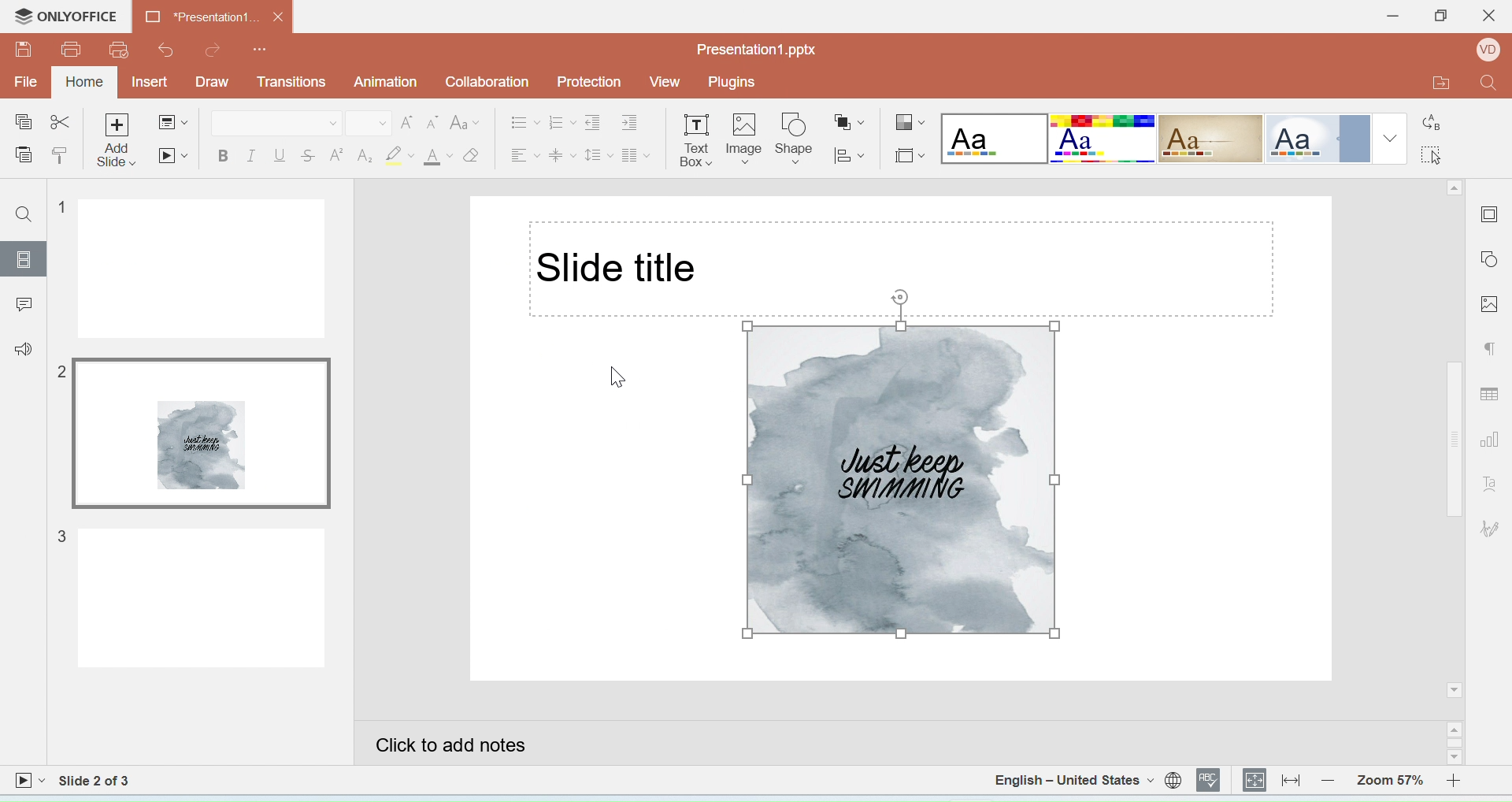  What do you see at coordinates (29, 782) in the screenshot?
I see `Start slideshow` at bounding box center [29, 782].